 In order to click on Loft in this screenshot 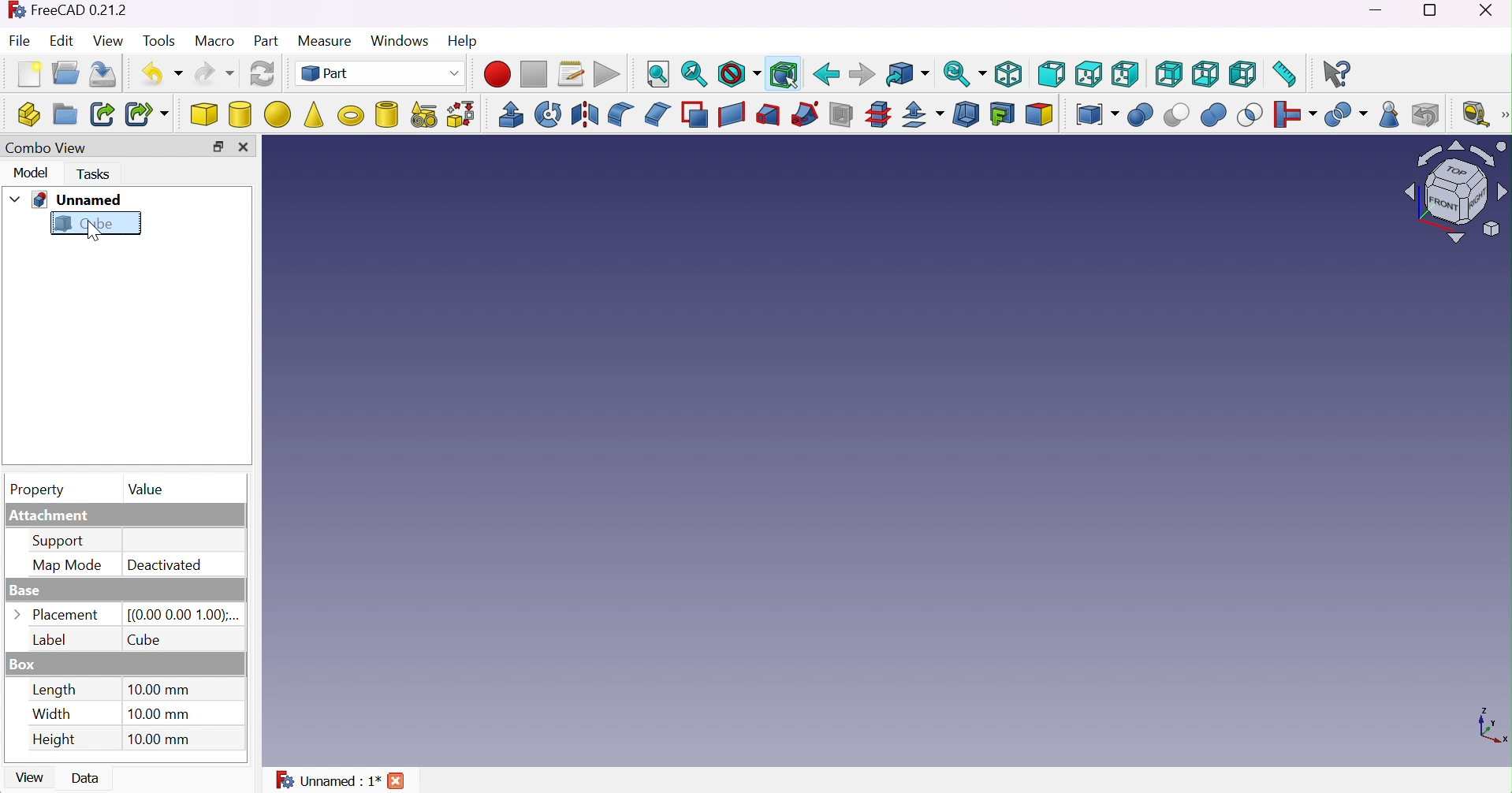, I will do `click(769, 114)`.